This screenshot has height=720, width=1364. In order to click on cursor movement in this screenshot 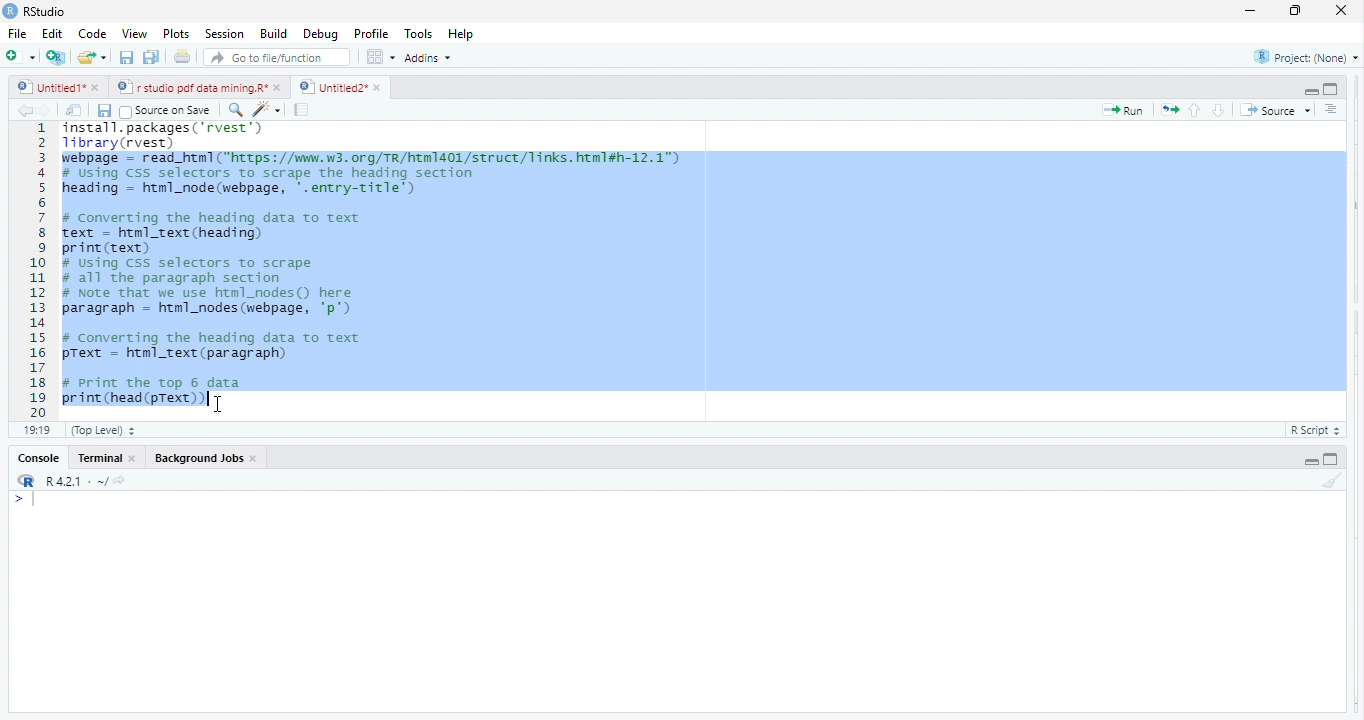, I will do `click(222, 402)`.